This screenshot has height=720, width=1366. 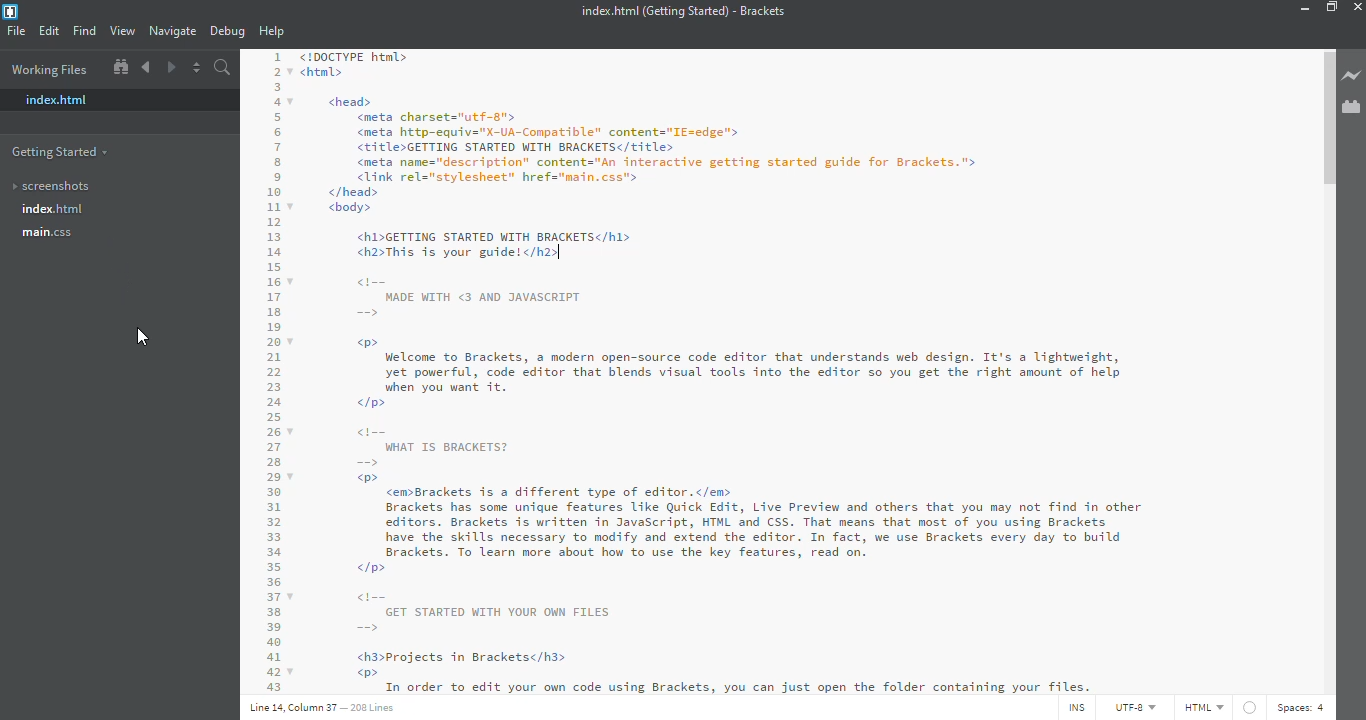 What do you see at coordinates (1135, 704) in the screenshot?
I see `utf` at bounding box center [1135, 704].